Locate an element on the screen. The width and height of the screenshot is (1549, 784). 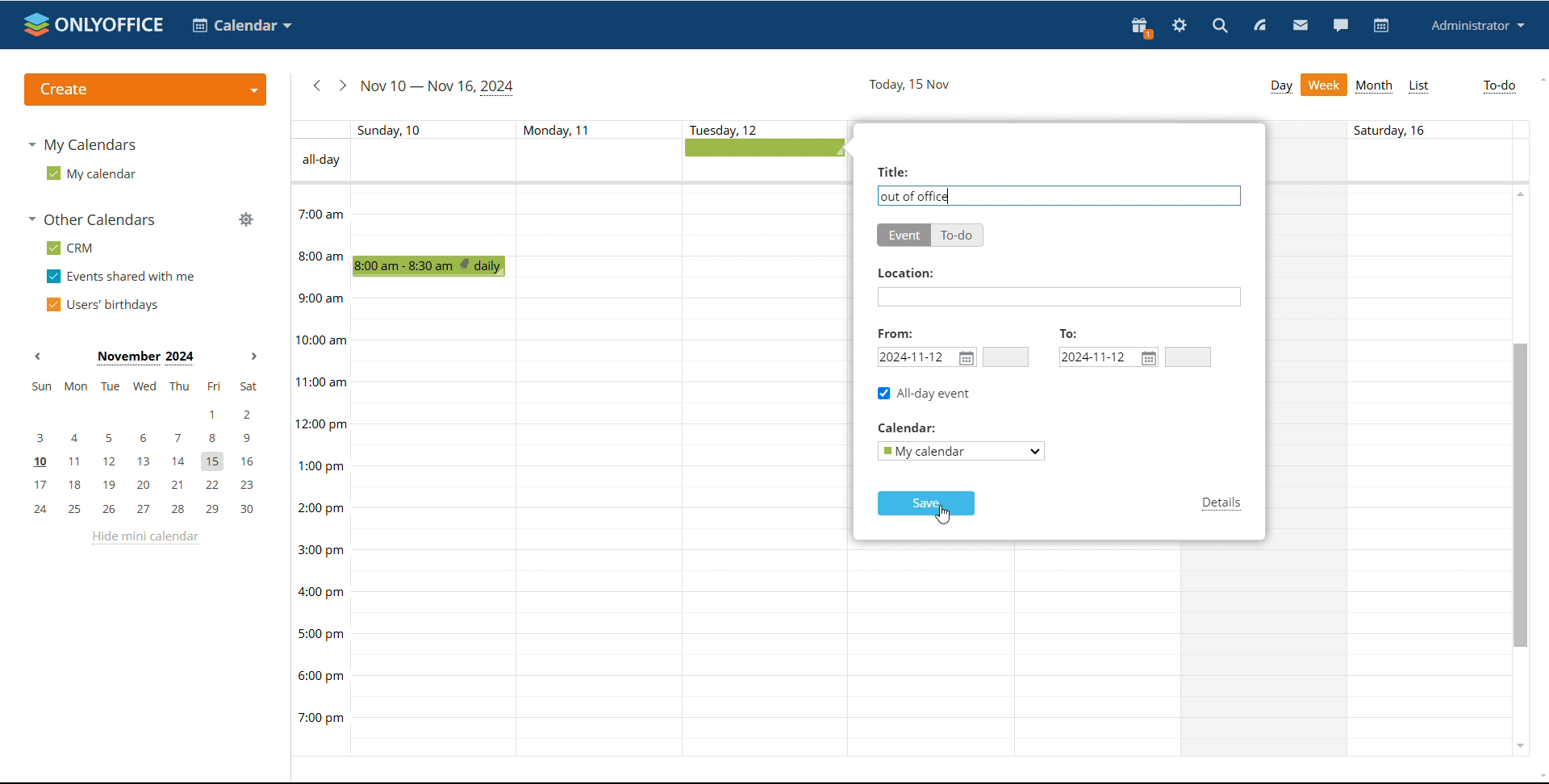
feed is located at coordinates (1261, 27).